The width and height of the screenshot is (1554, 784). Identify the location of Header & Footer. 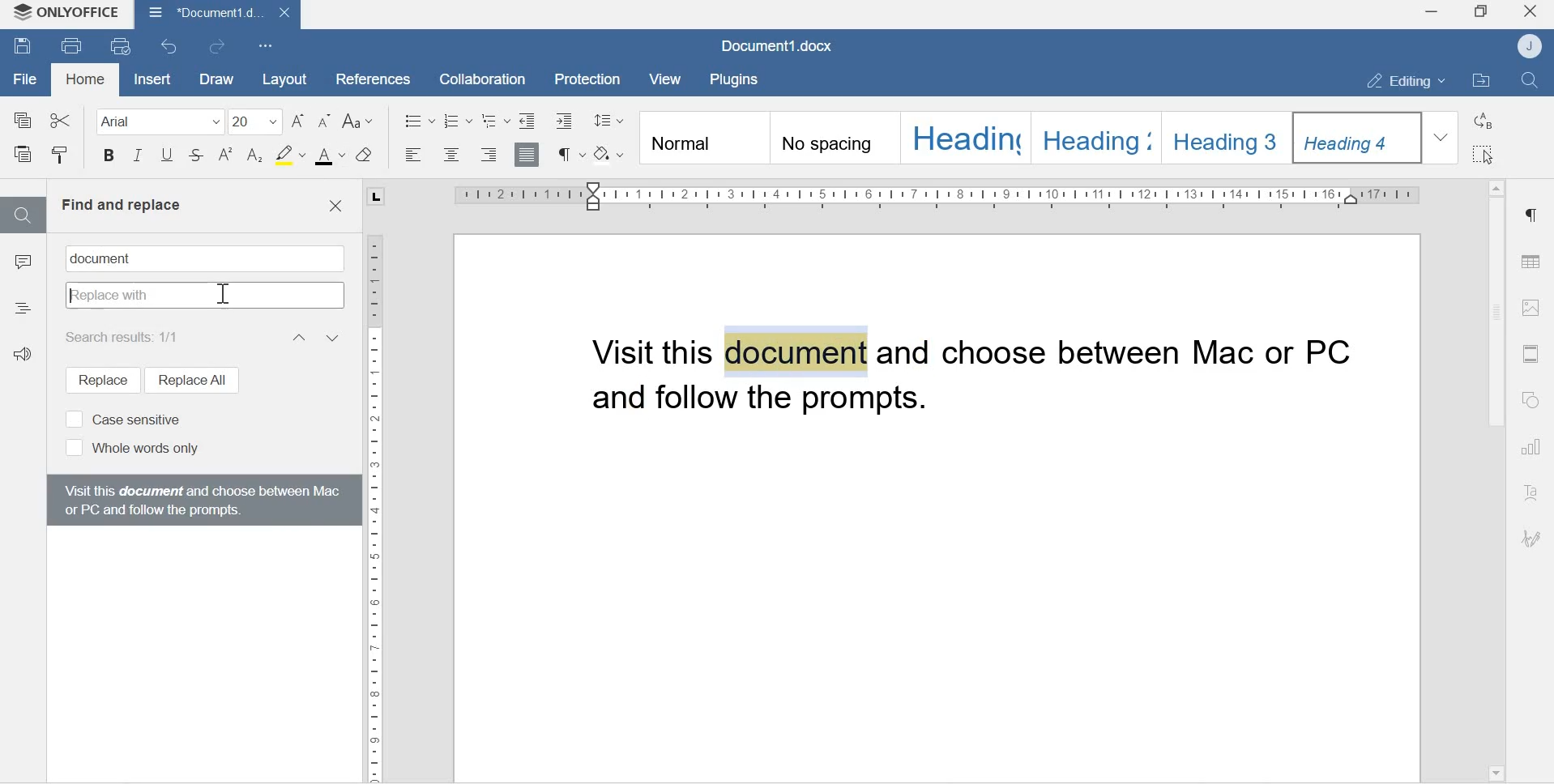
(1531, 353).